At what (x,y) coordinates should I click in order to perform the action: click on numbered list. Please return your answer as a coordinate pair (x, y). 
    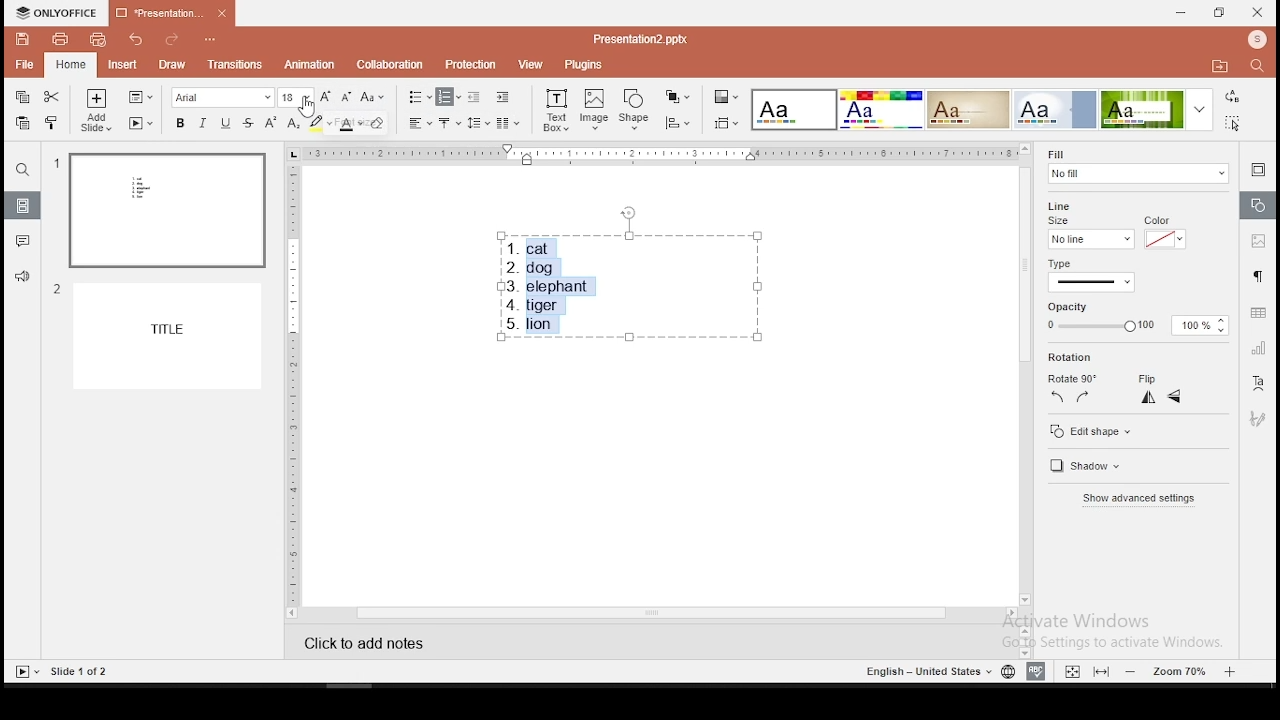
    Looking at the image, I should click on (449, 96).